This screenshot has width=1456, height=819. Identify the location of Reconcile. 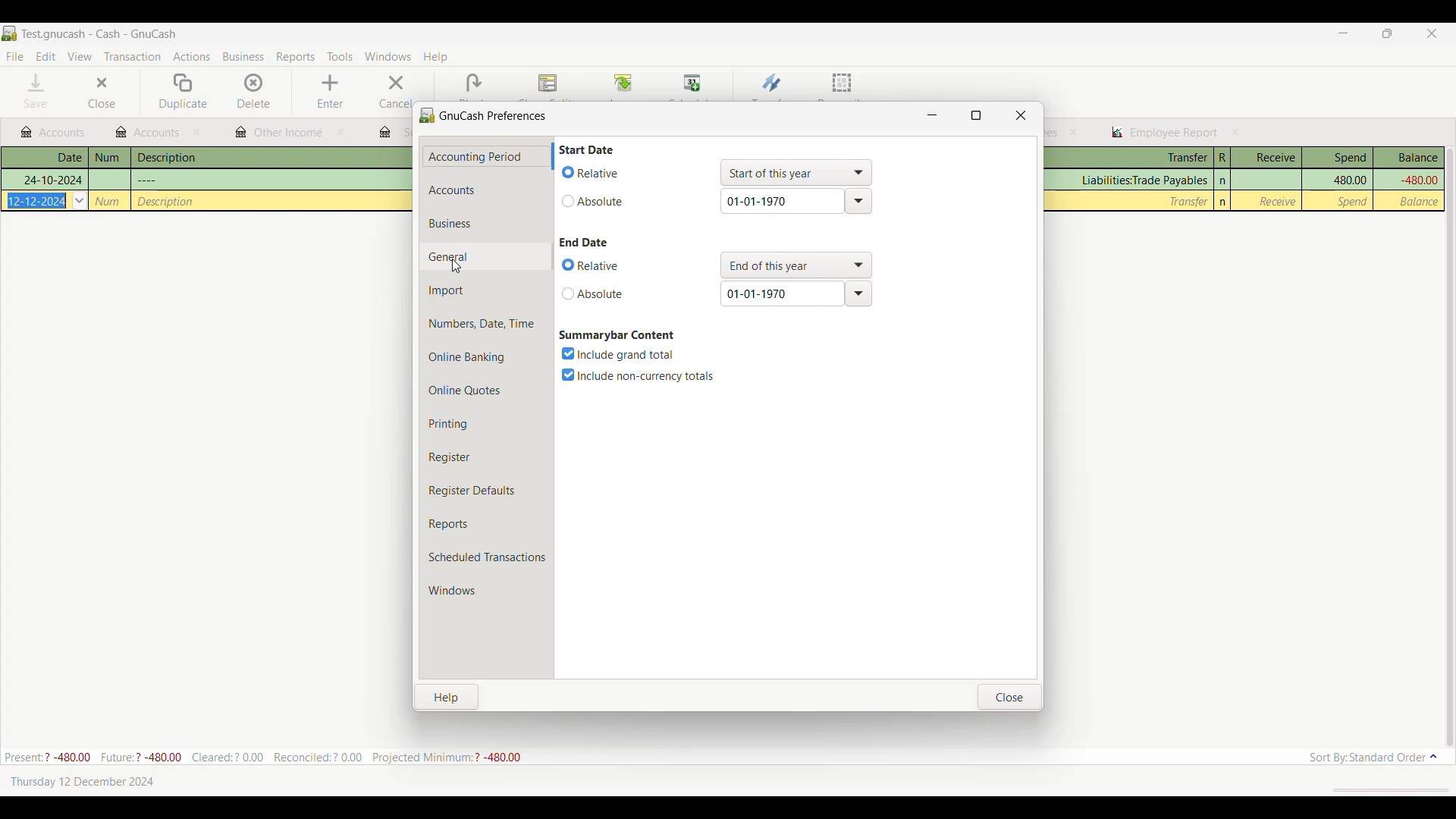
(843, 85).